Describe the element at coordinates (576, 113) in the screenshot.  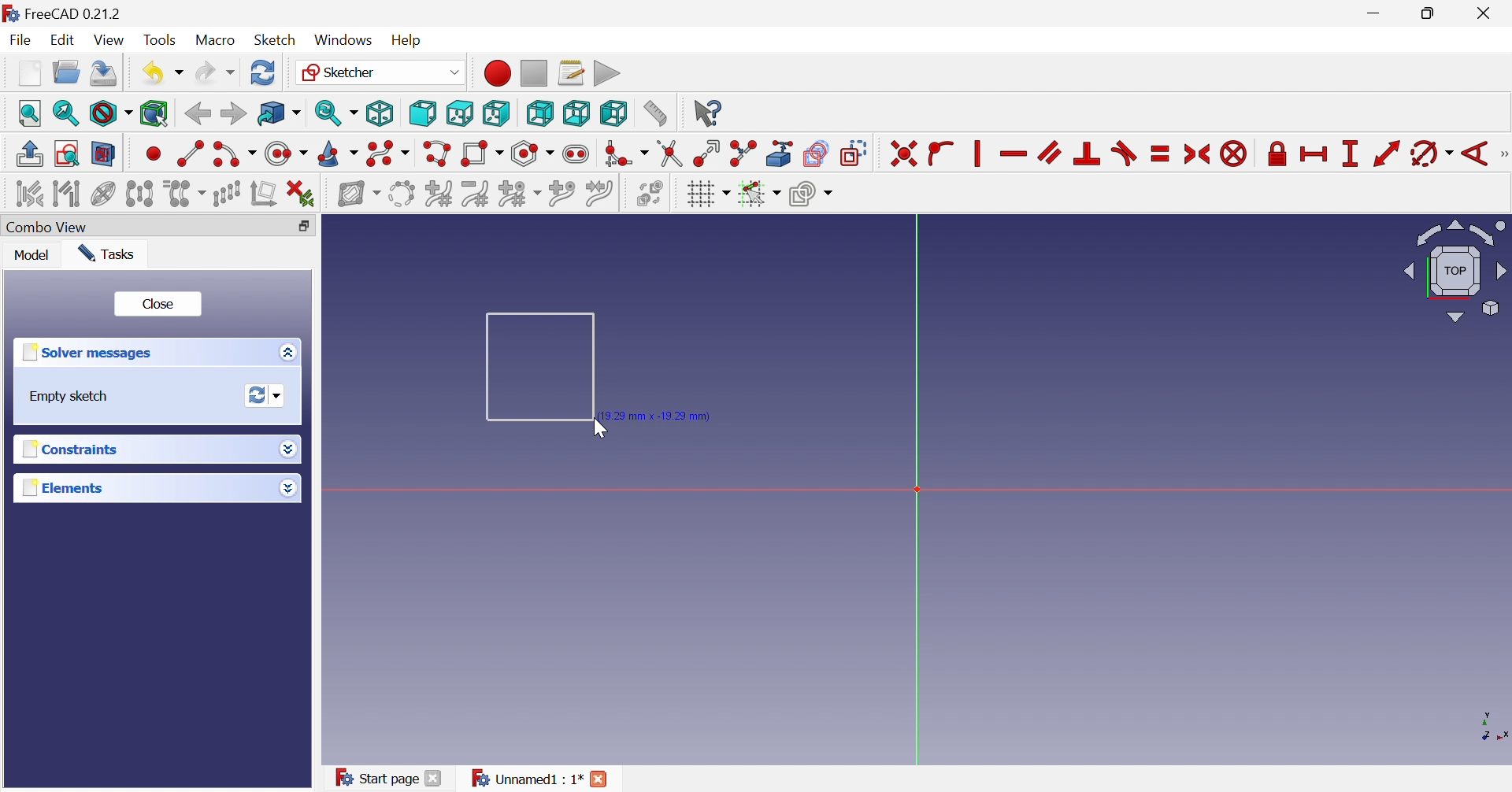
I see `Bottom` at that location.